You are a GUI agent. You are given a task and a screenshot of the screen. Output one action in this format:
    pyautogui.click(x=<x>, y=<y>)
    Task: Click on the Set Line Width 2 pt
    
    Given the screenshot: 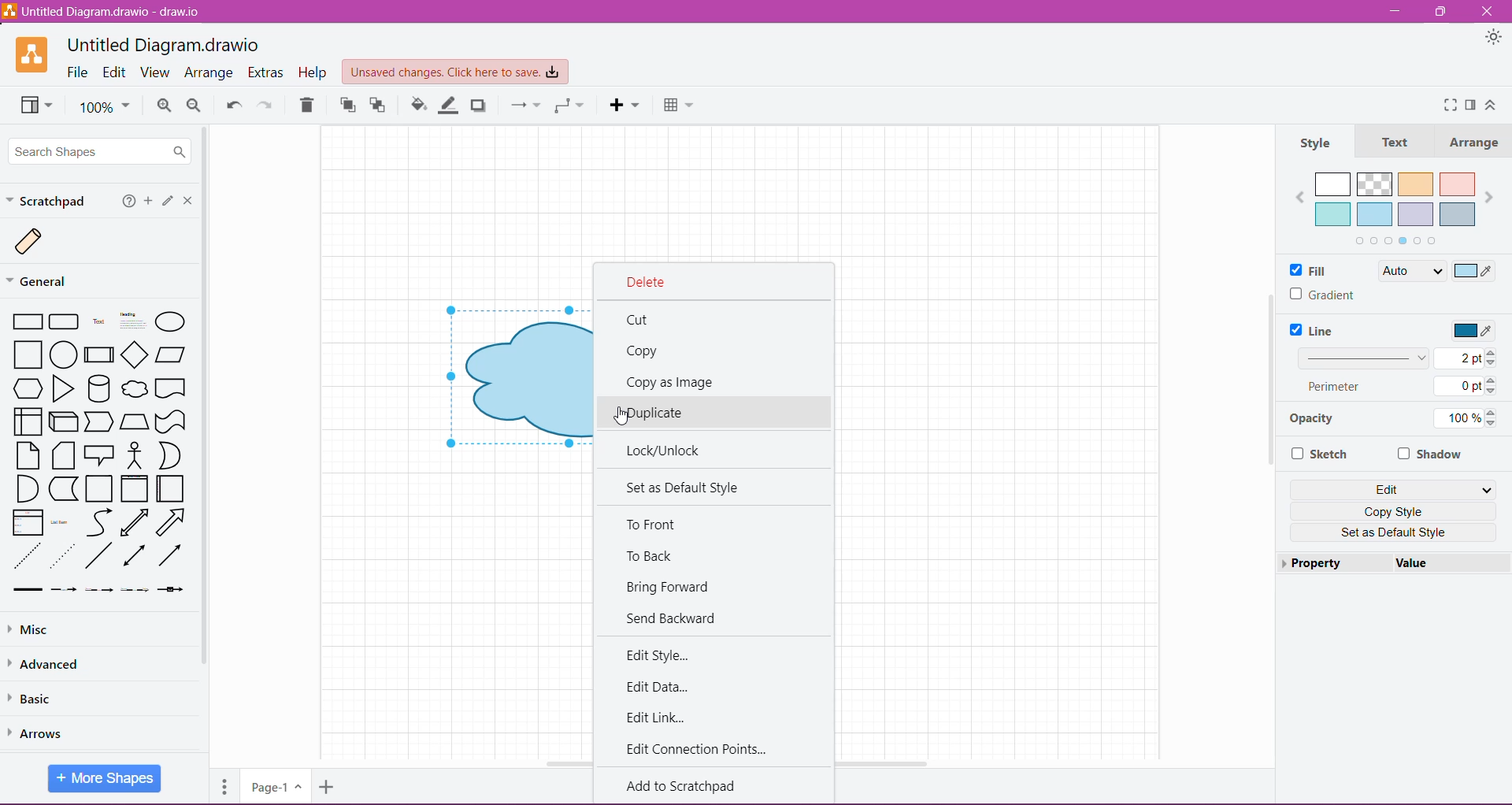 What is the action you would take?
    pyautogui.click(x=1399, y=359)
    